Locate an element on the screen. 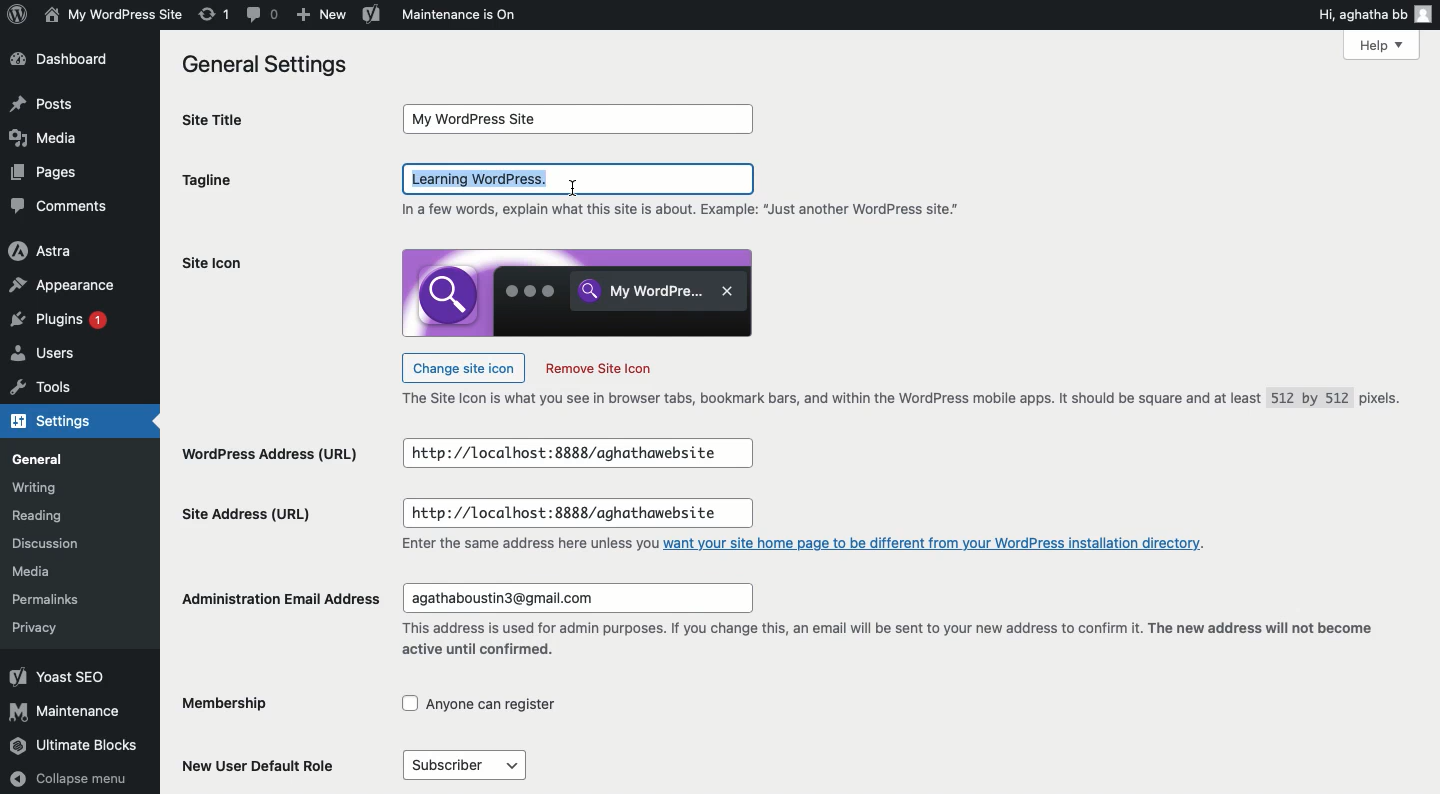  Permalinks is located at coordinates (50, 597).